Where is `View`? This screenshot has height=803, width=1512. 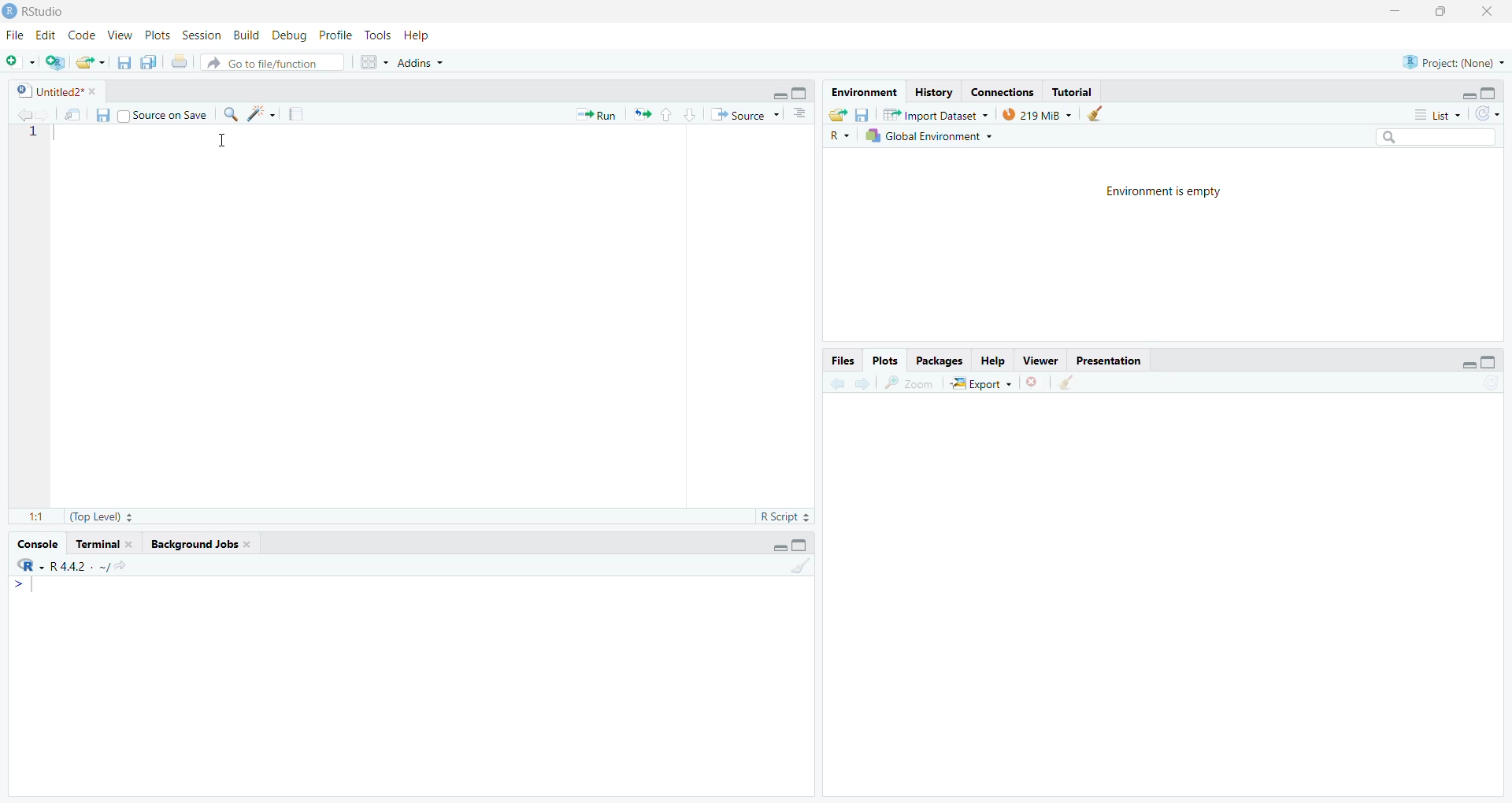 View is located at coordinates (120, 35).